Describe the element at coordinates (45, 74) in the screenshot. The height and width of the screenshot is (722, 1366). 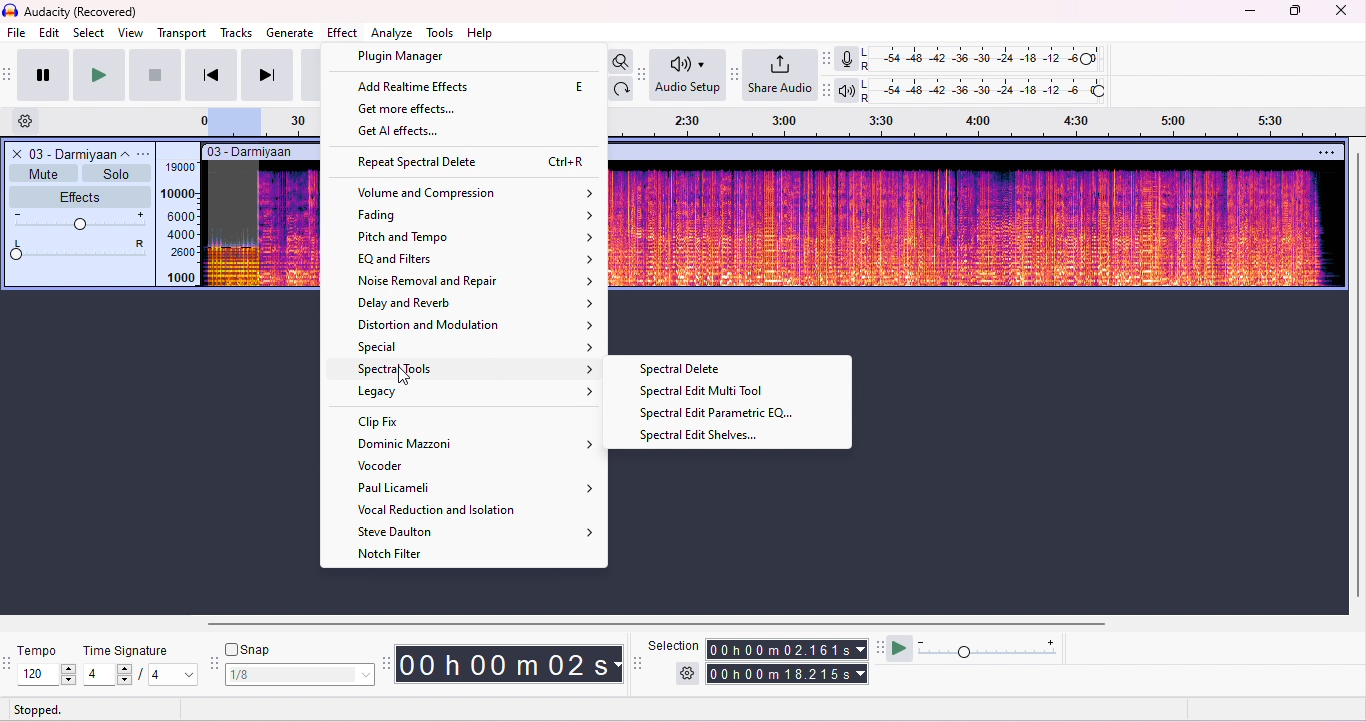
I see `pause` at that location.